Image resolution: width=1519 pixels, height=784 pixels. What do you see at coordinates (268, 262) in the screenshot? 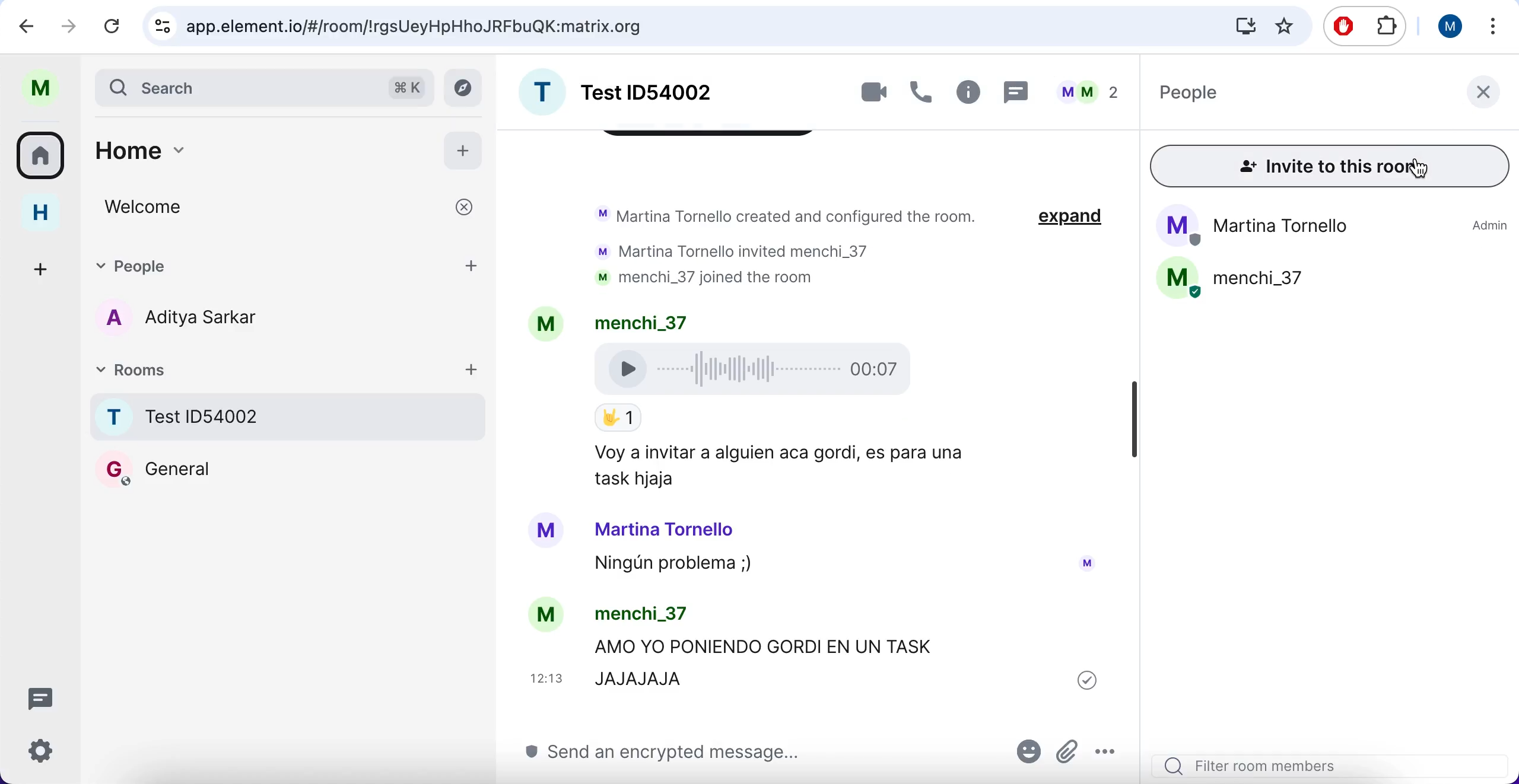
I see `people` at bounding box center [268, 262].